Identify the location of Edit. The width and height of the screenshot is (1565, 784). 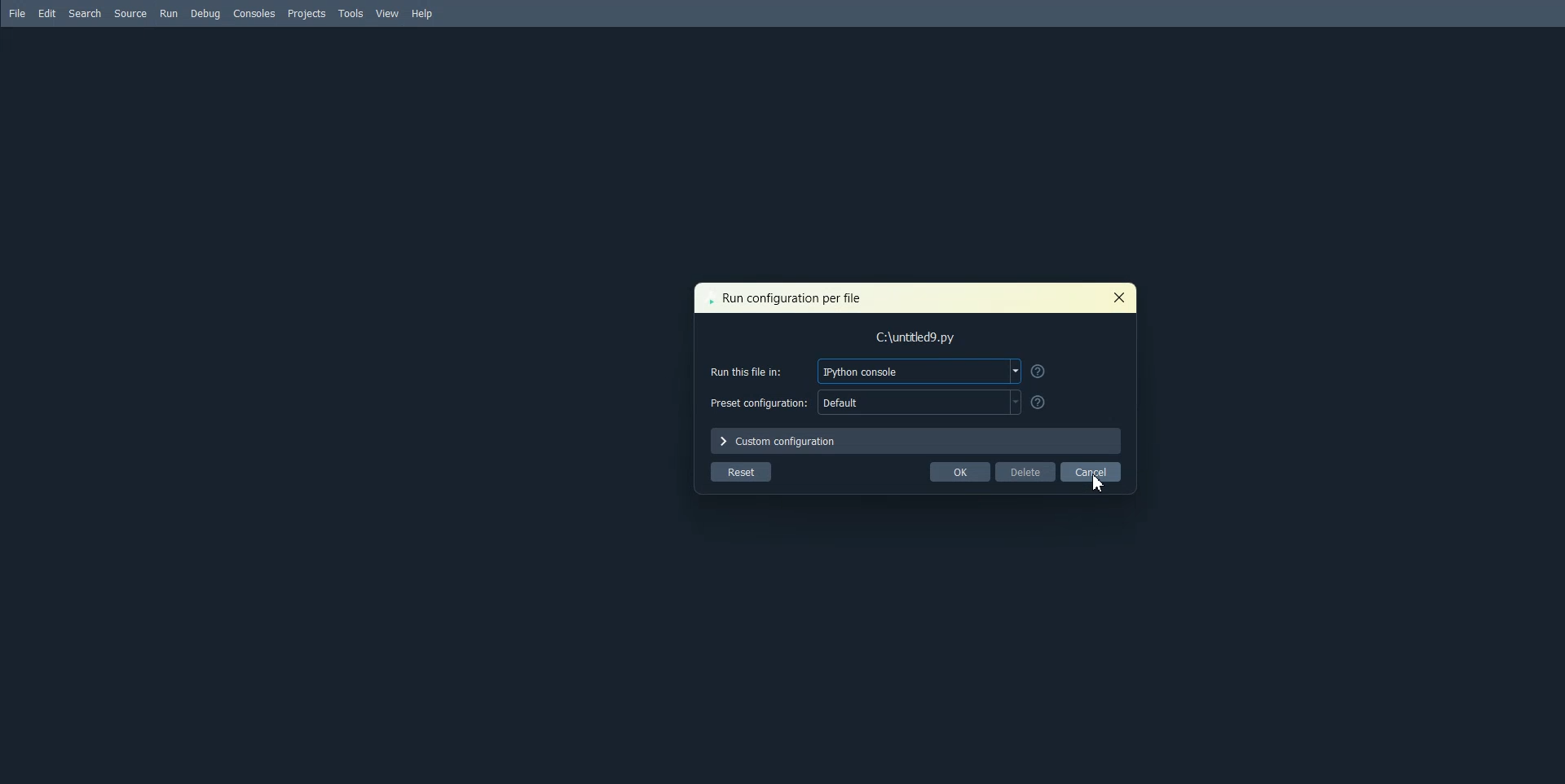
(48, 14).